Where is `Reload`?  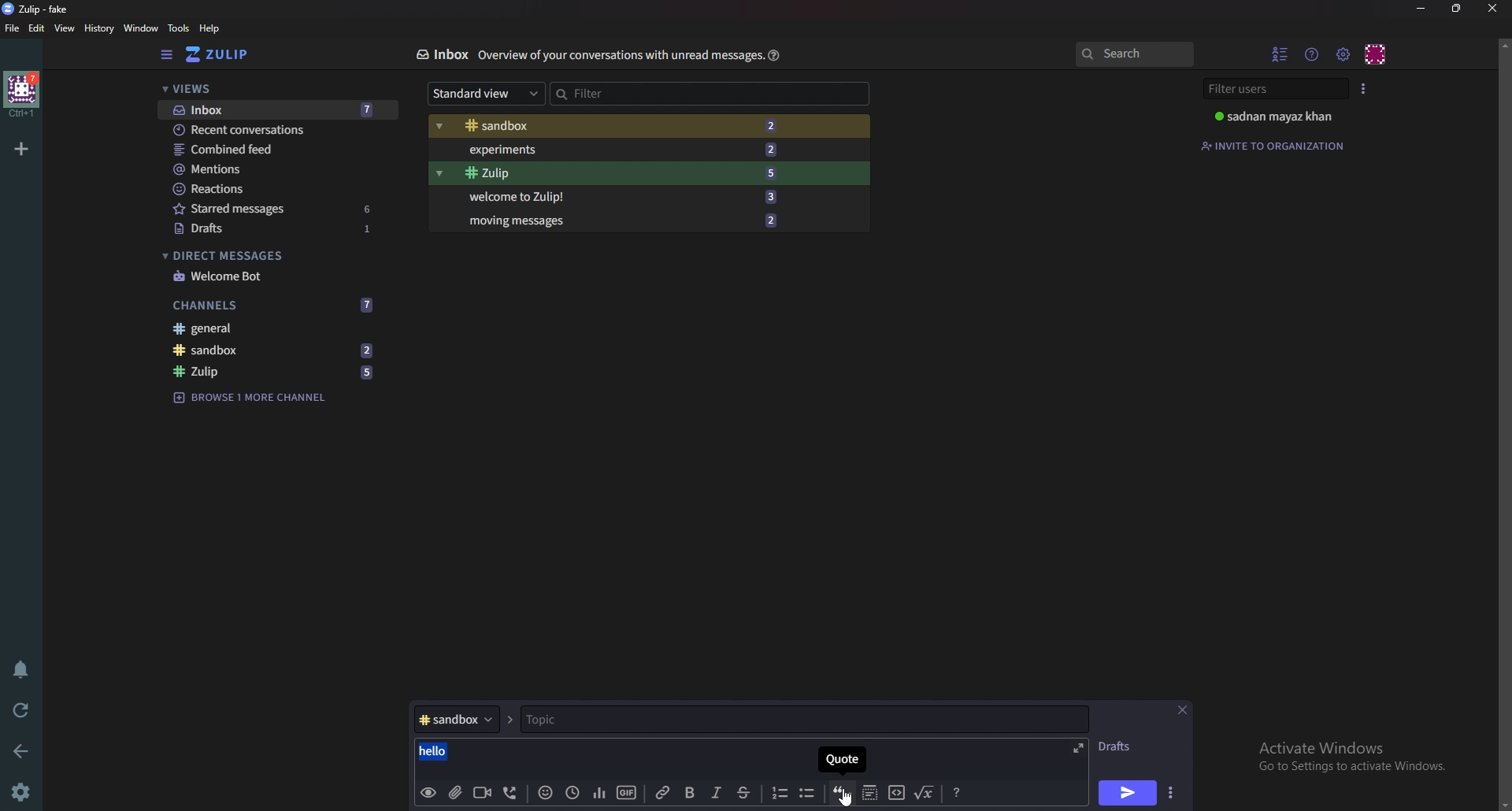
Reload is located at coordinates (24, 709).